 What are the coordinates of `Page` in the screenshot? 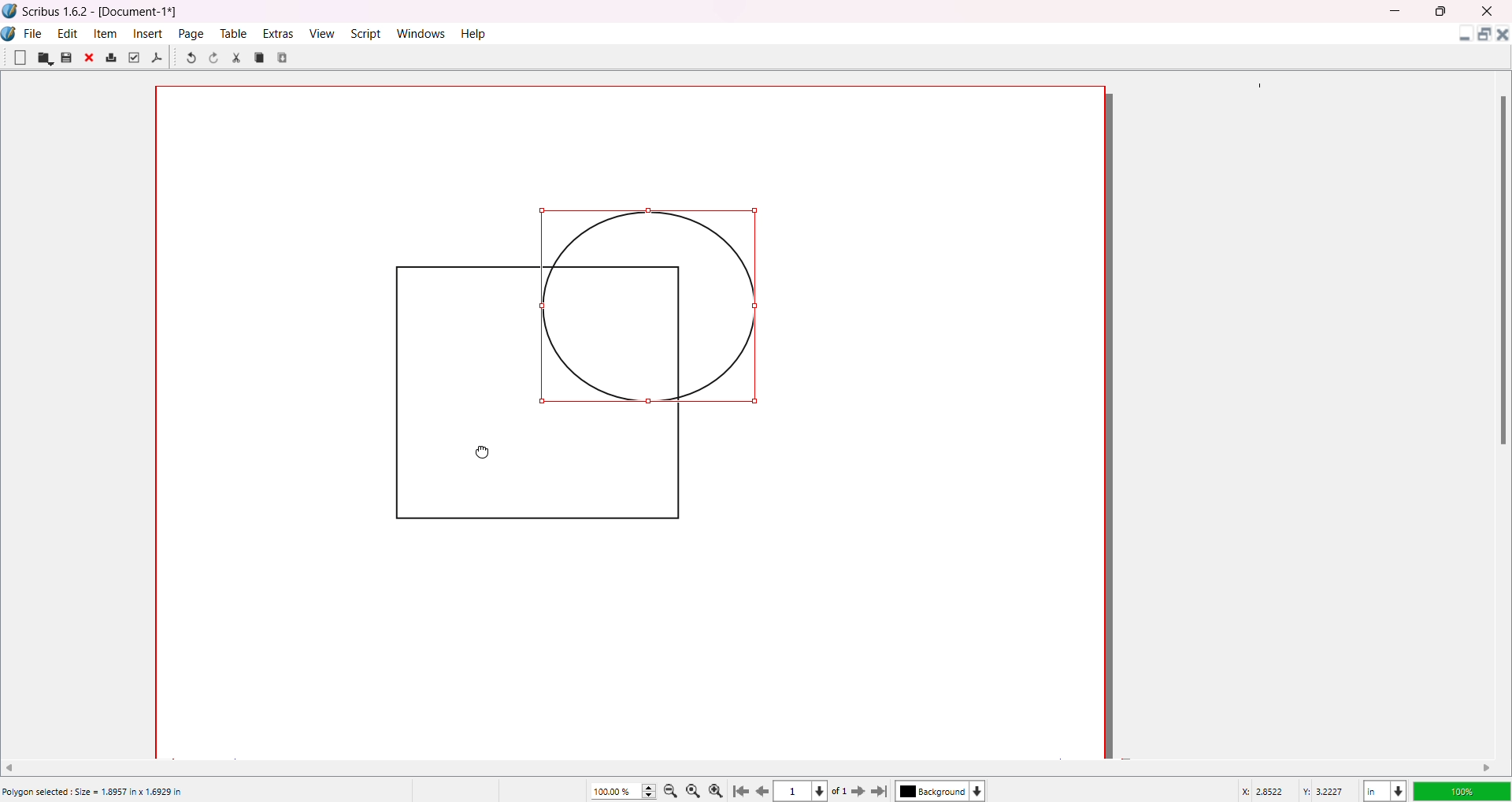 It's located at (192, 33).